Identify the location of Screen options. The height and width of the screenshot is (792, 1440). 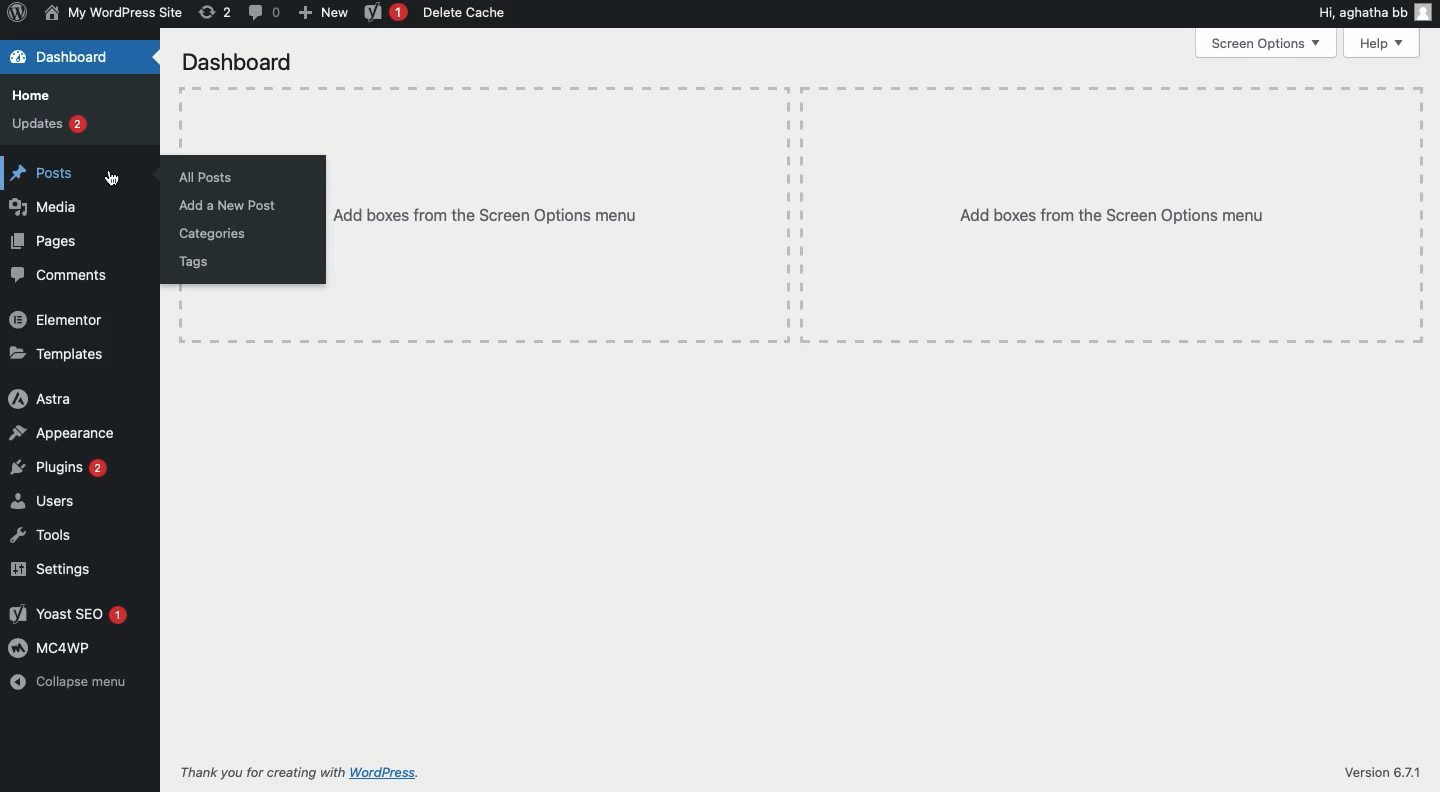
(1265, 42).